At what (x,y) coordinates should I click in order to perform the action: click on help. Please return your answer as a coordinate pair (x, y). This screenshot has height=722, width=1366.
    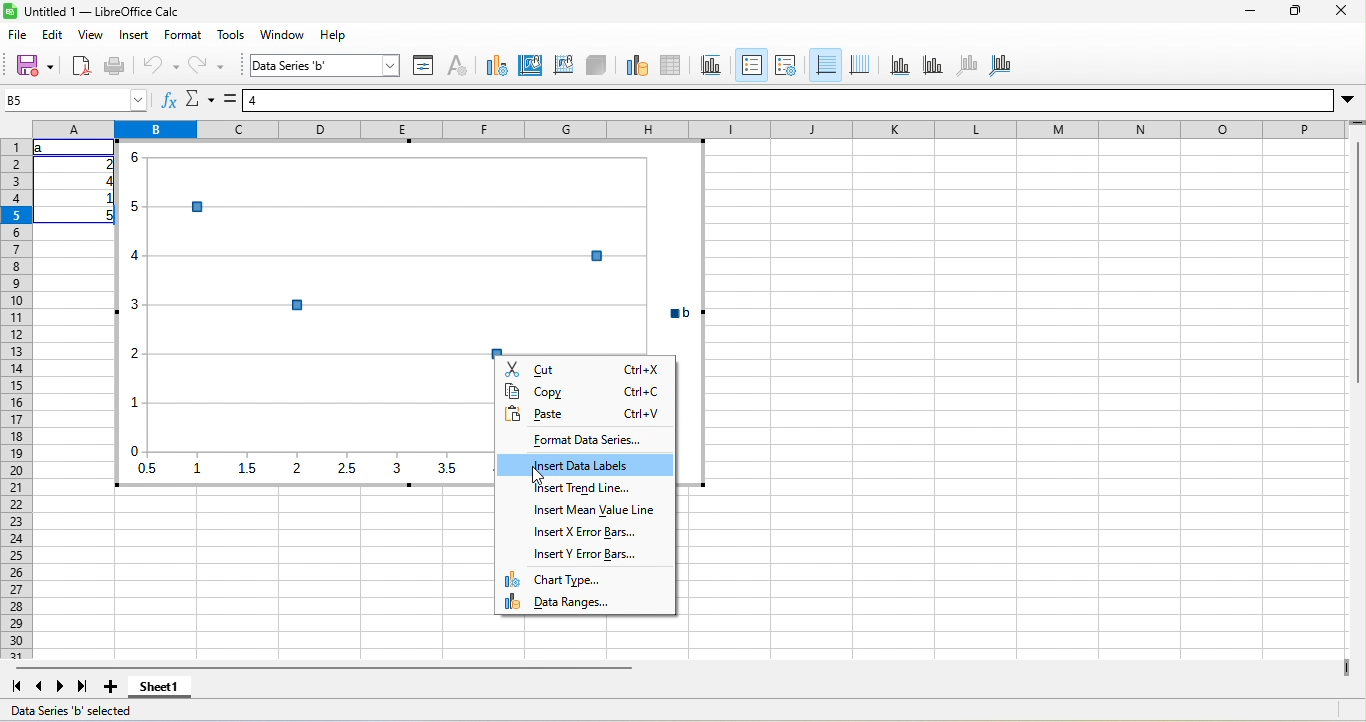
    Looking at the image, I should click on (333, 35).